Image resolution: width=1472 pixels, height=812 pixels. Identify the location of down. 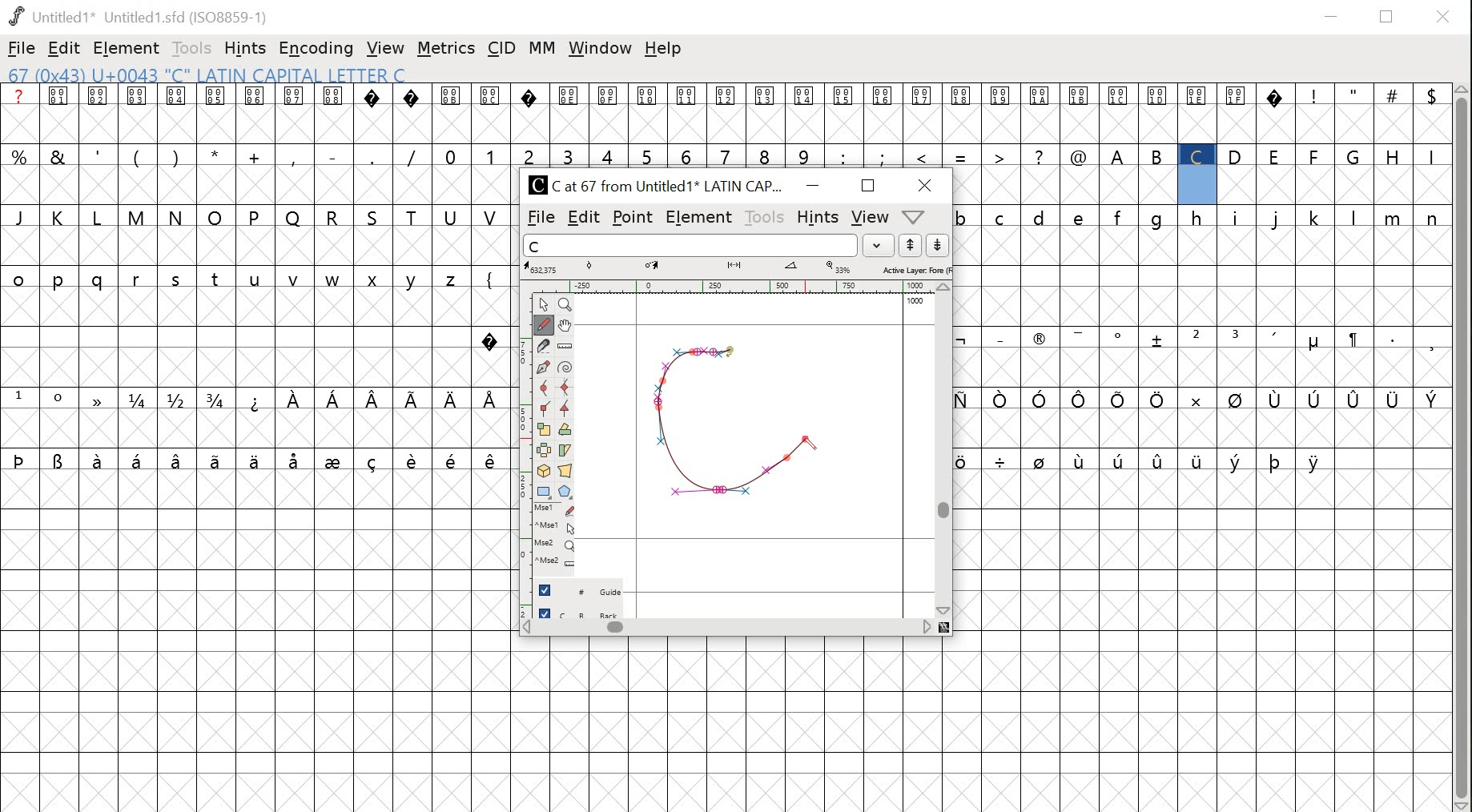
(939, 245).